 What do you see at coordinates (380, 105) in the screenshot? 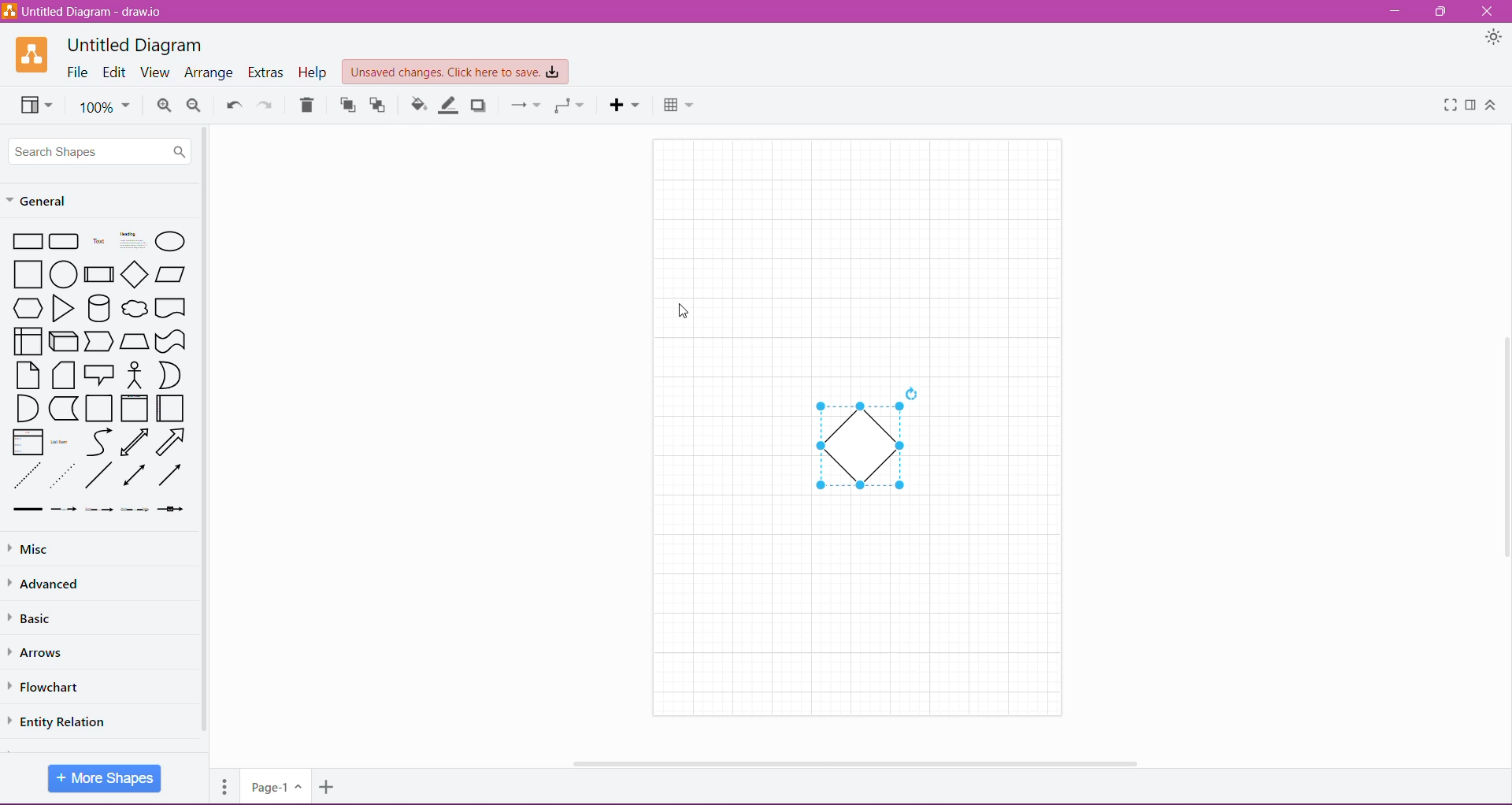
I see `To Back` at bounding box center [380, 105].